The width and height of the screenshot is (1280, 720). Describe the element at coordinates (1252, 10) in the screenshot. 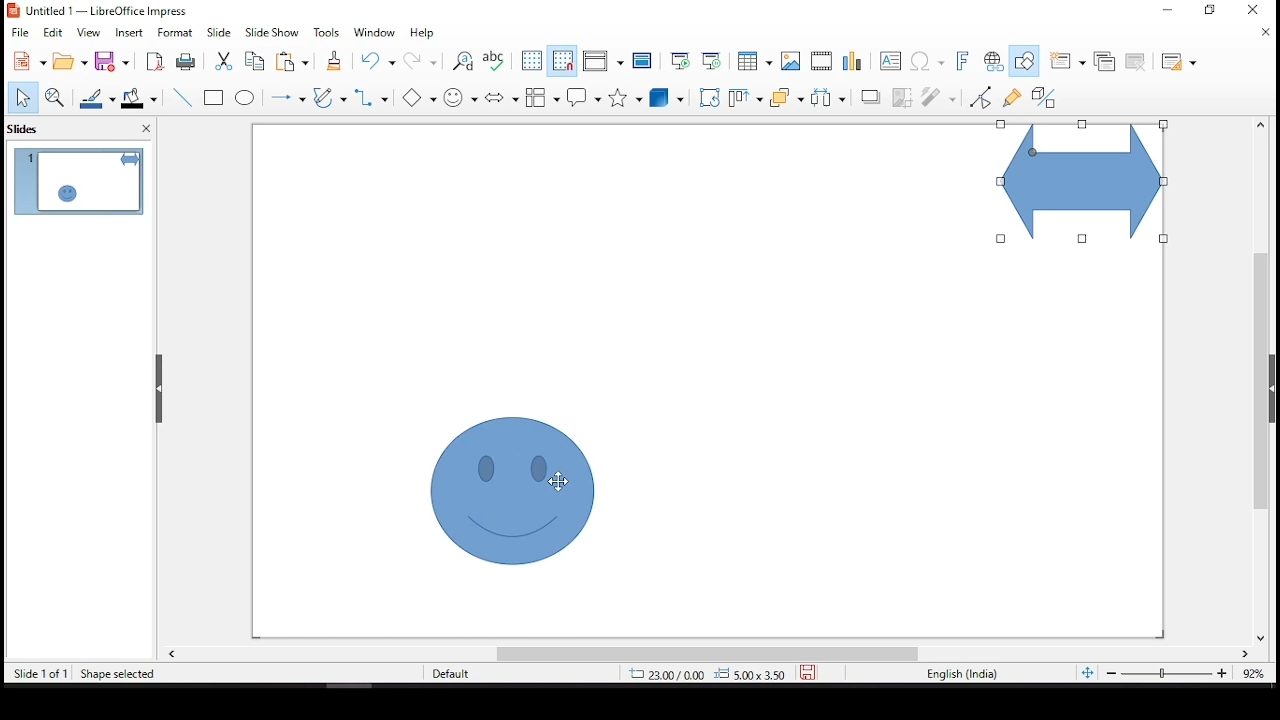

I see `close window` at that location.